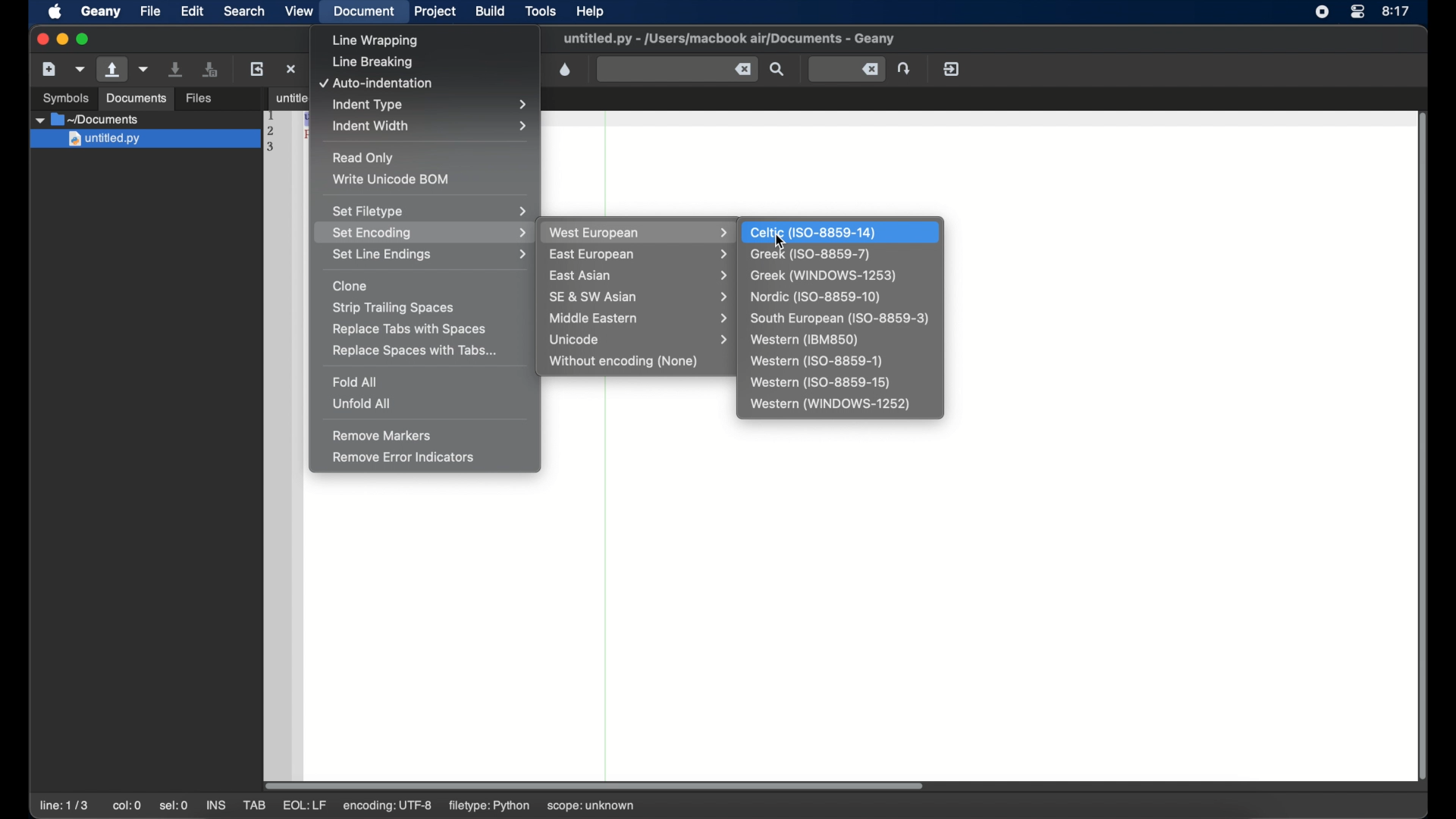 Image resolution: width=1456 pixels, height=819 pixels. What do you see at coordinates (136, 99) in the screenshot?
I see `documents` at bounding box center [136, 99].